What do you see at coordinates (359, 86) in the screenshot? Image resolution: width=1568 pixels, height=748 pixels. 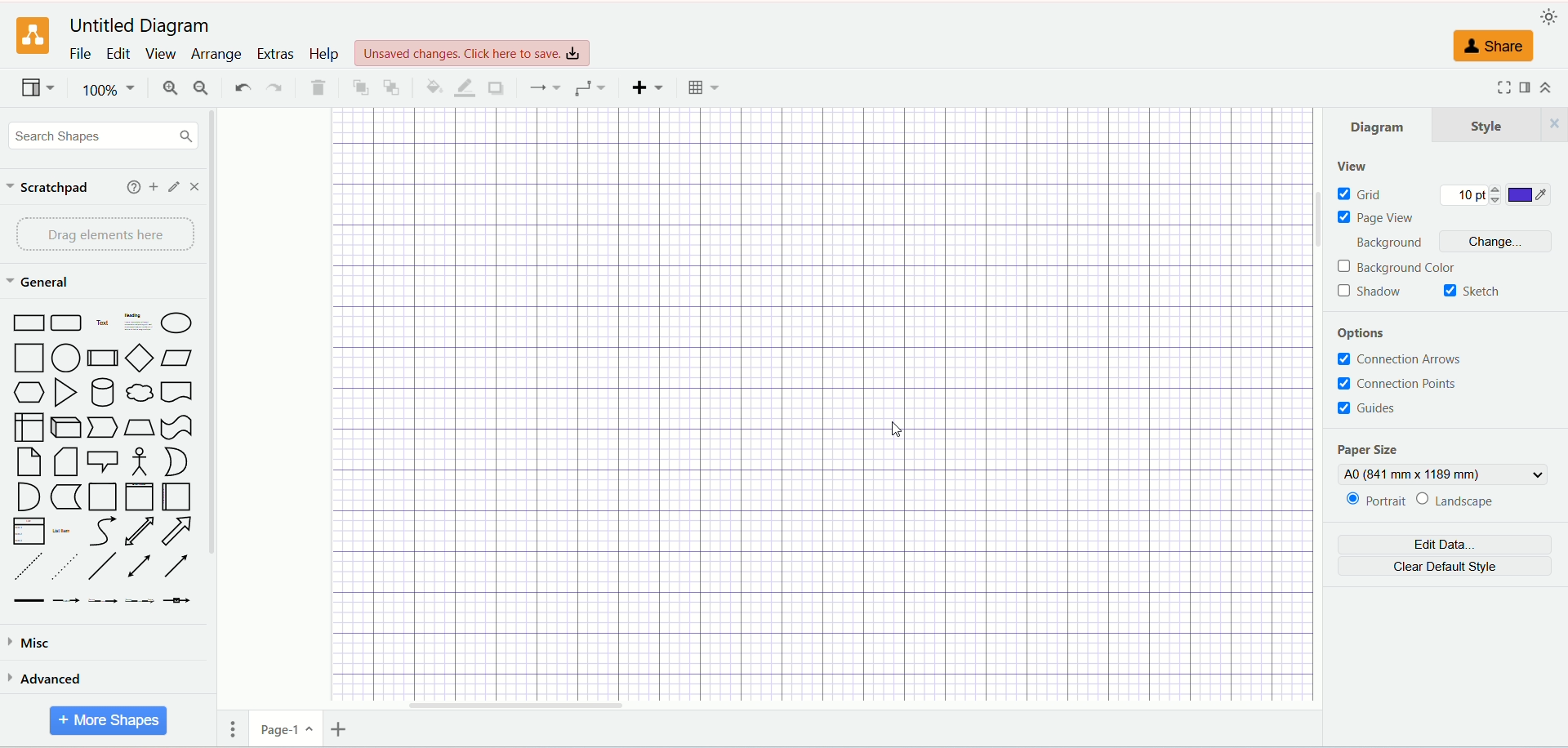 I see `to front` at bounding box center [359, 86].